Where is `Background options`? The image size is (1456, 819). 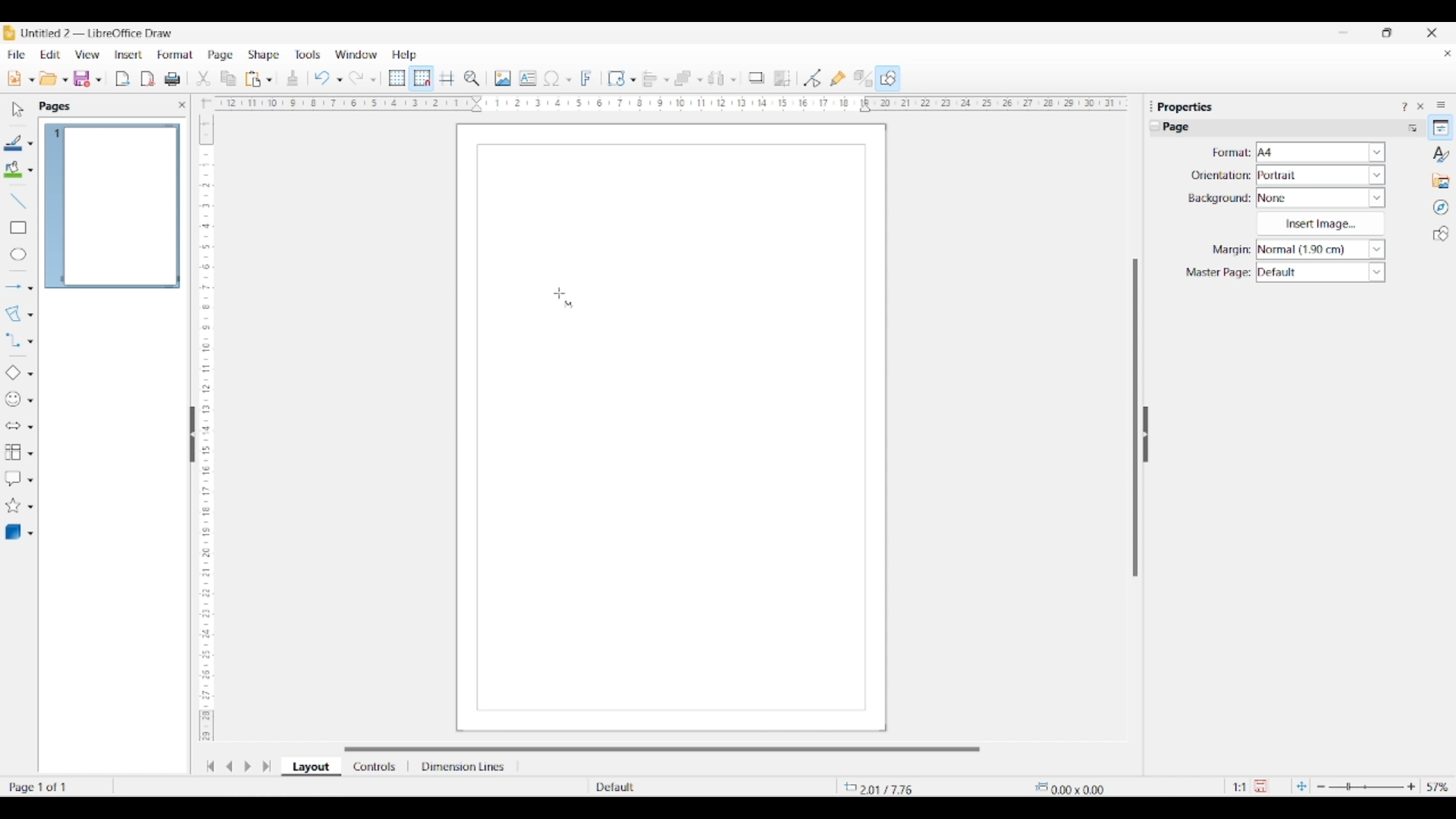 Background options is located at coordinates (1321, 198).